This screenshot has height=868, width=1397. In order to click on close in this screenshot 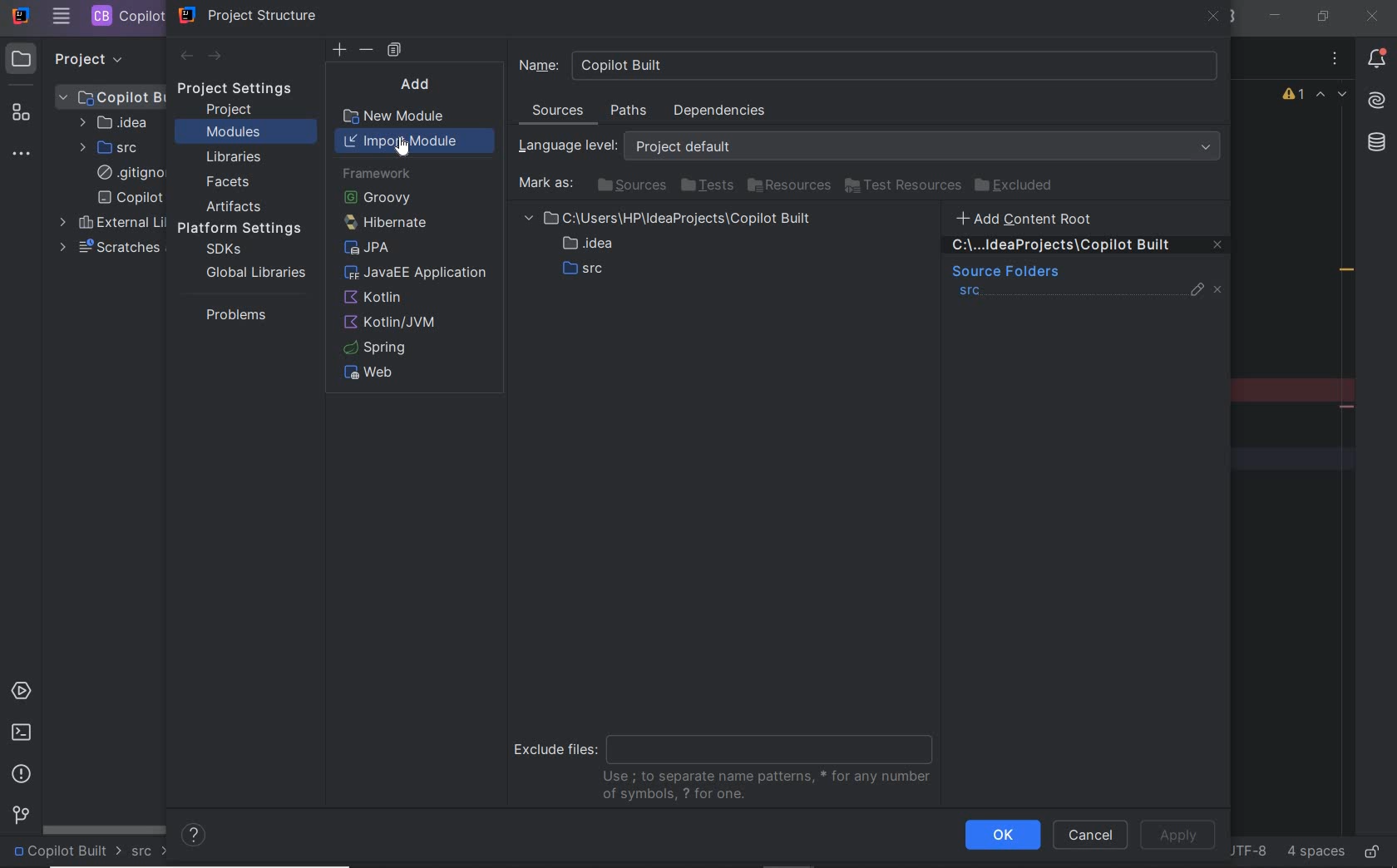, I will do `click(1214, 18)`.